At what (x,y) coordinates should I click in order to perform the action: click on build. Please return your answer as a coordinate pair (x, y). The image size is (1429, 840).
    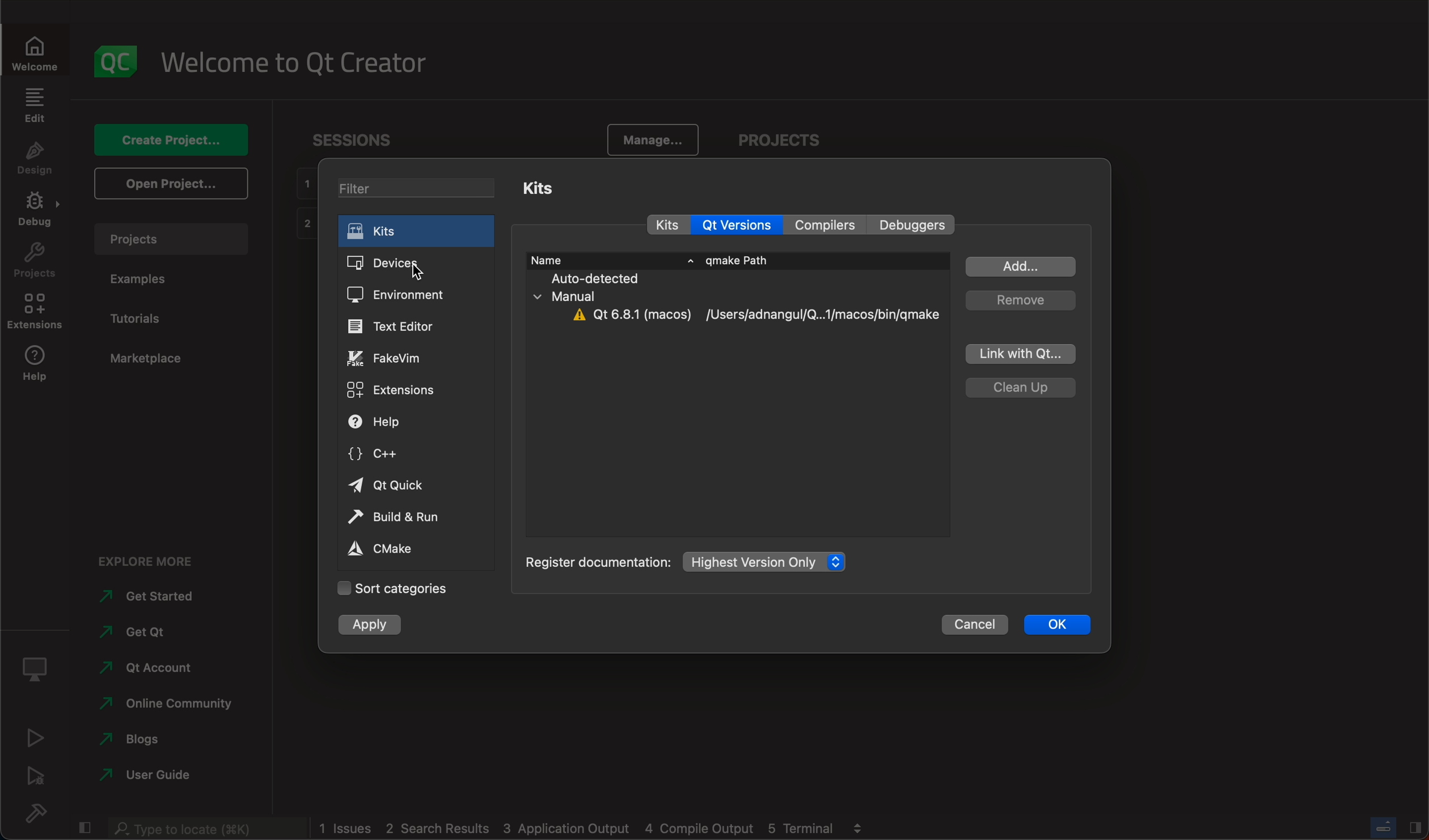
    Looking at the image, I should click on (40, 813).